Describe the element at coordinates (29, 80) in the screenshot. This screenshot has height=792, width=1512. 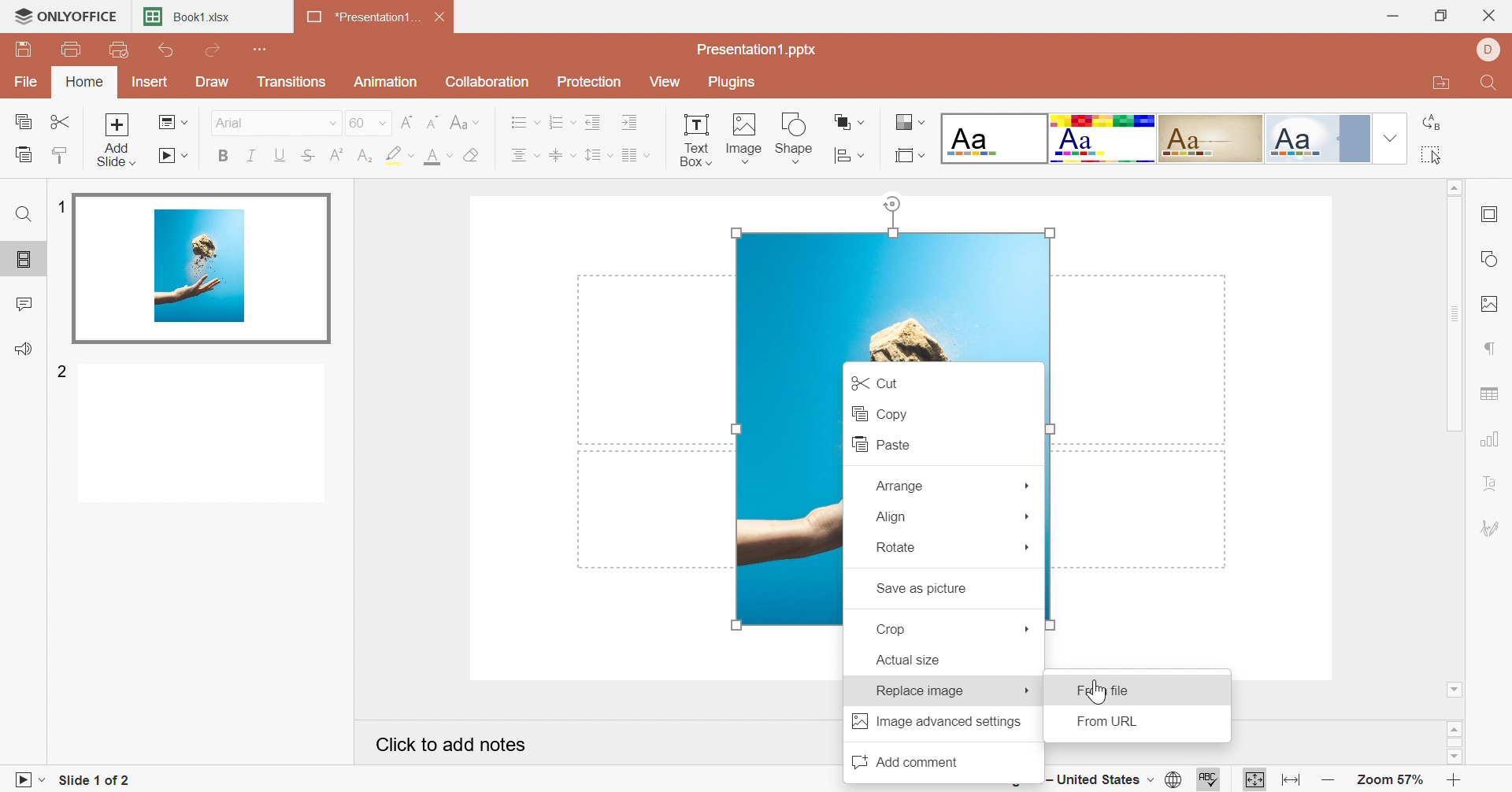
I see `File` at that location.